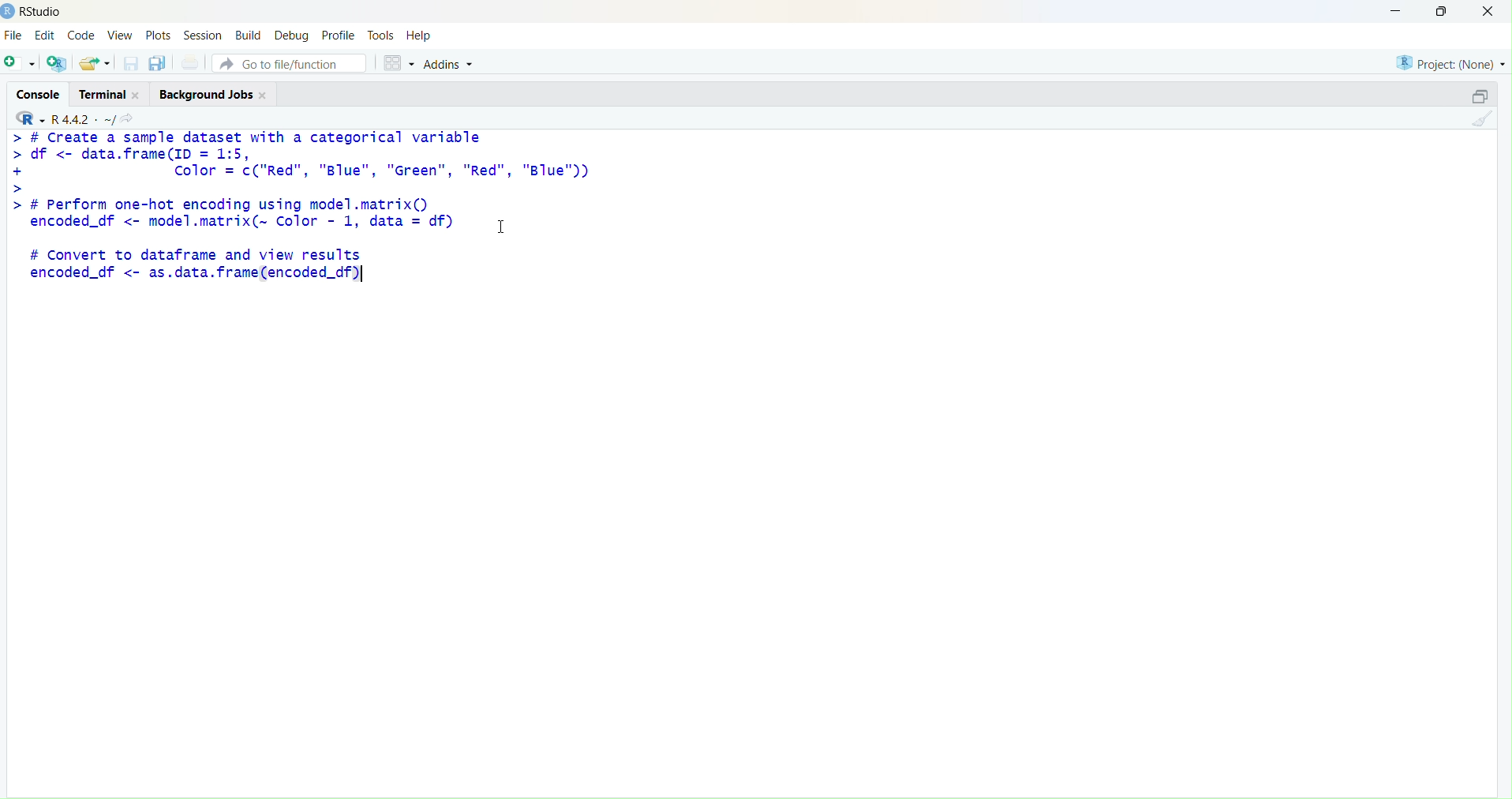 This screenshot has height=799, width=1512. What do you see at coordinates (22, 63) in the screenshot?
I see `add file as` at bounding box center [22, 63].